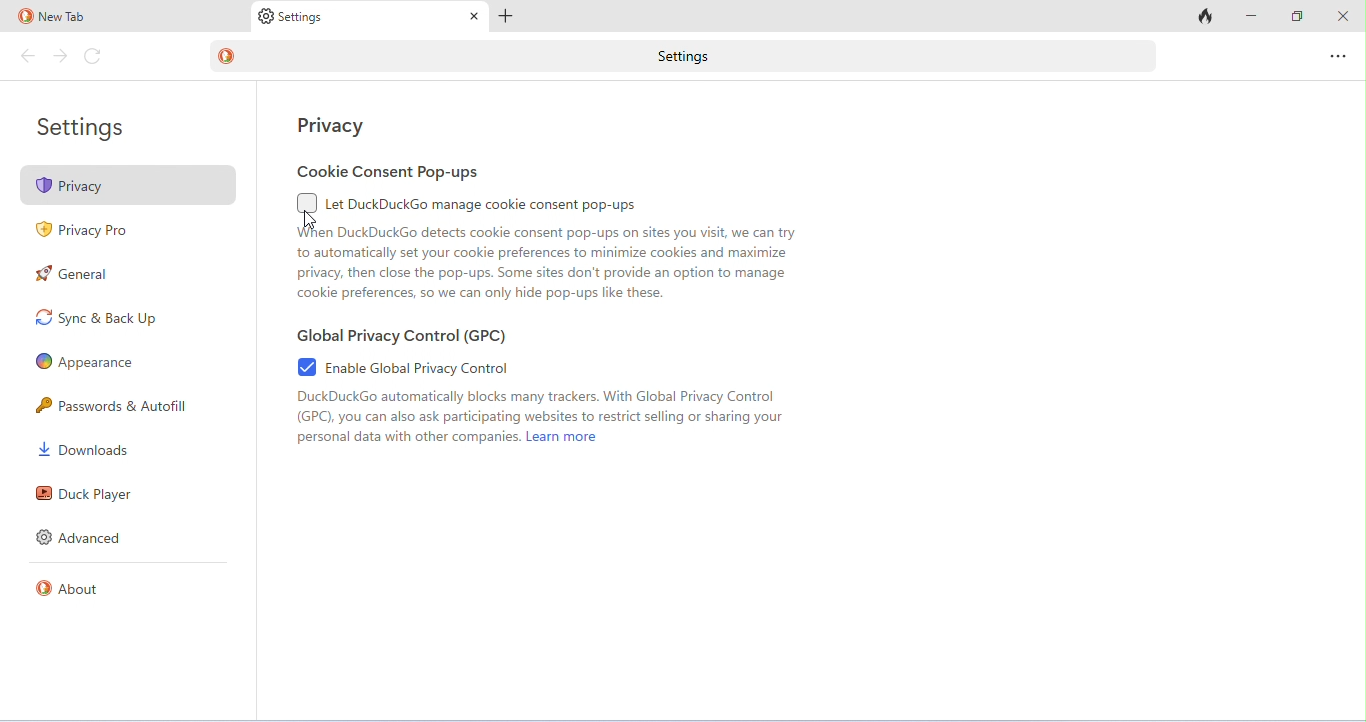 Image resolution: width=1366 pixels, height=722 pixels. What do you see at coordinates (84, 129) in the screenshot?
I see `settings` at bounding box center [84, 129].